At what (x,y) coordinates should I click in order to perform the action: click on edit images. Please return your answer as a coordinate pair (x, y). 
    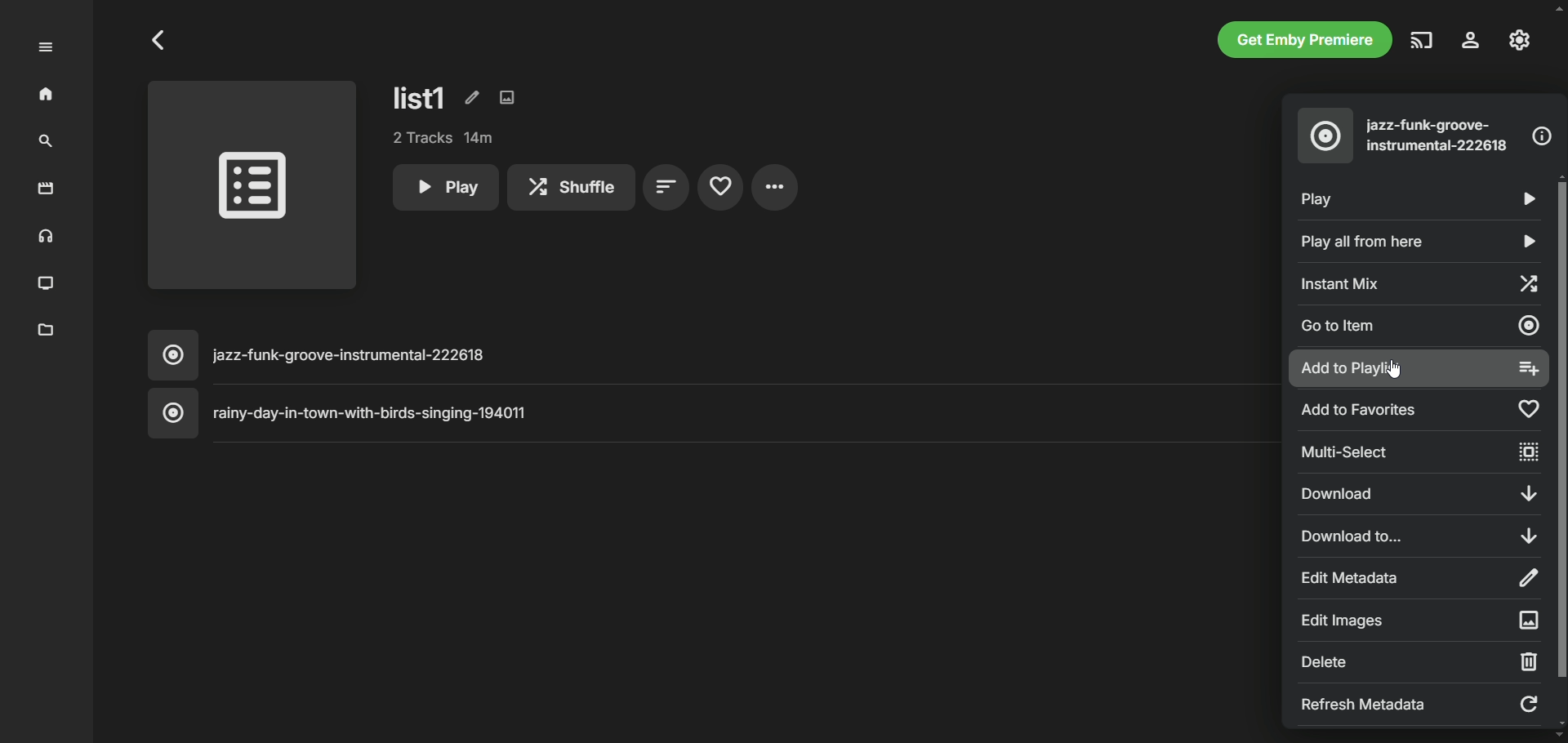
    Looking at the image, I should click on (1420, 618).